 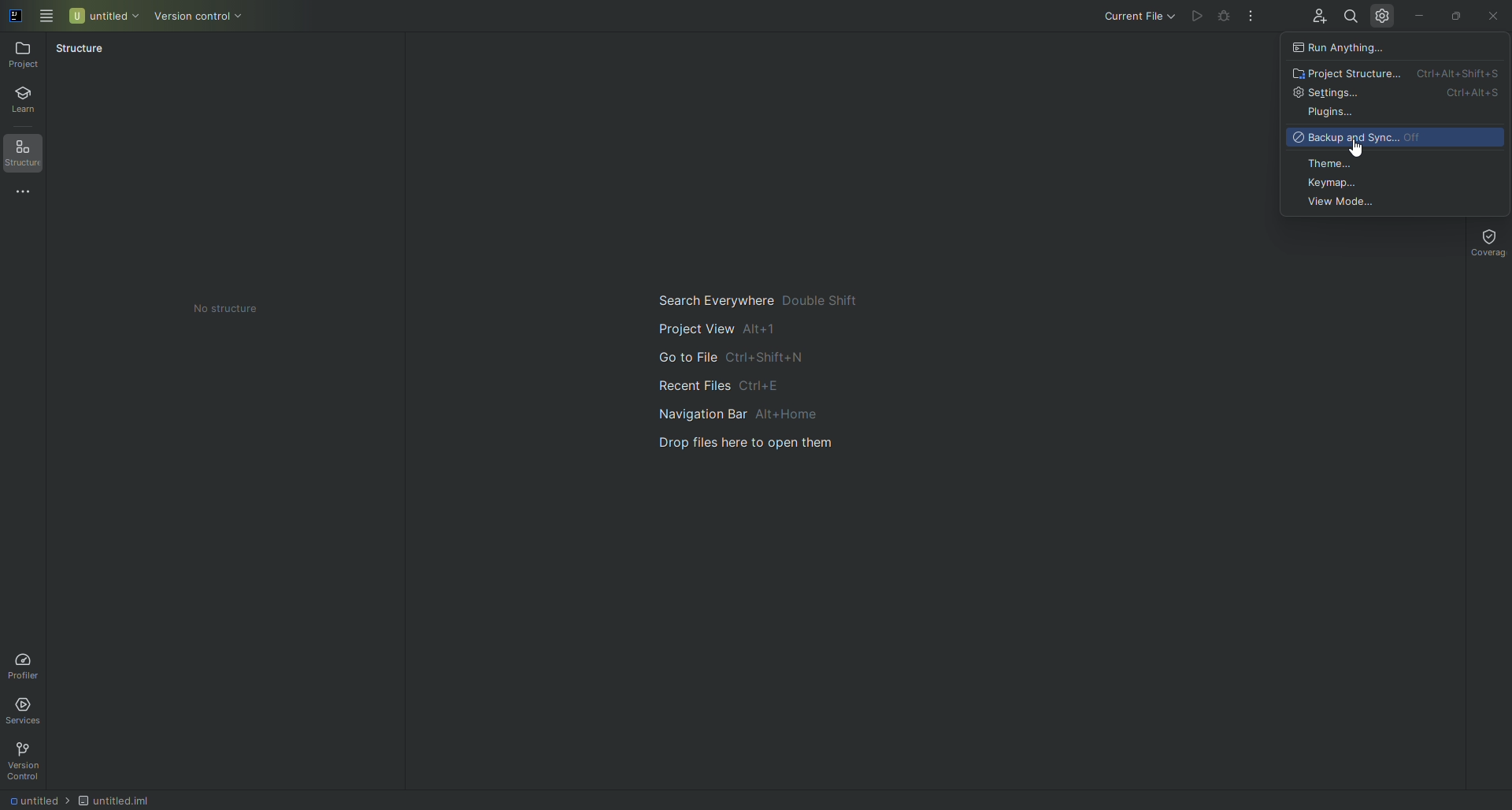 I want to click on Settings, so click(x=1396, y=93).